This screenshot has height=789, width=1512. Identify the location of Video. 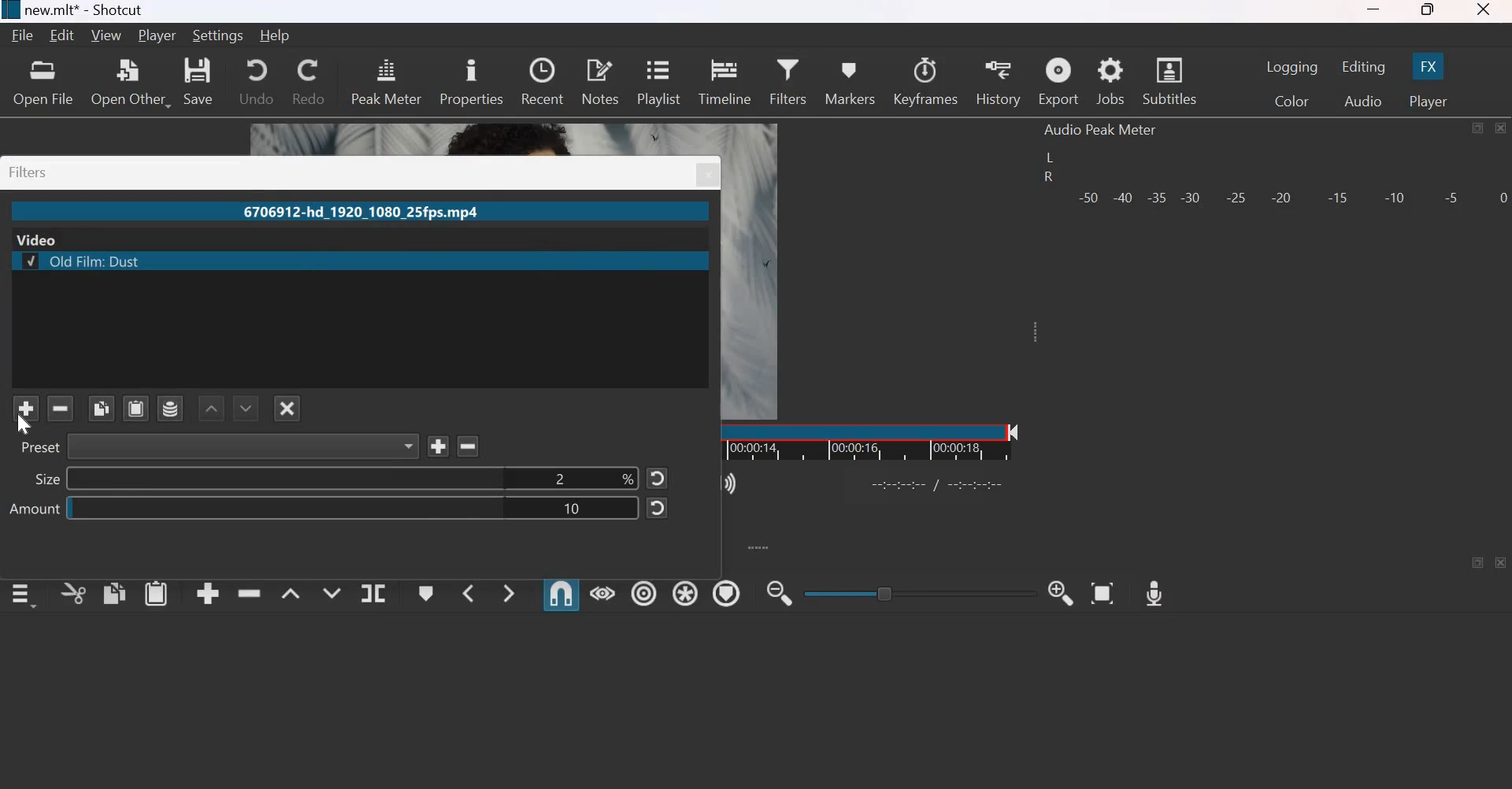
(38, 239).